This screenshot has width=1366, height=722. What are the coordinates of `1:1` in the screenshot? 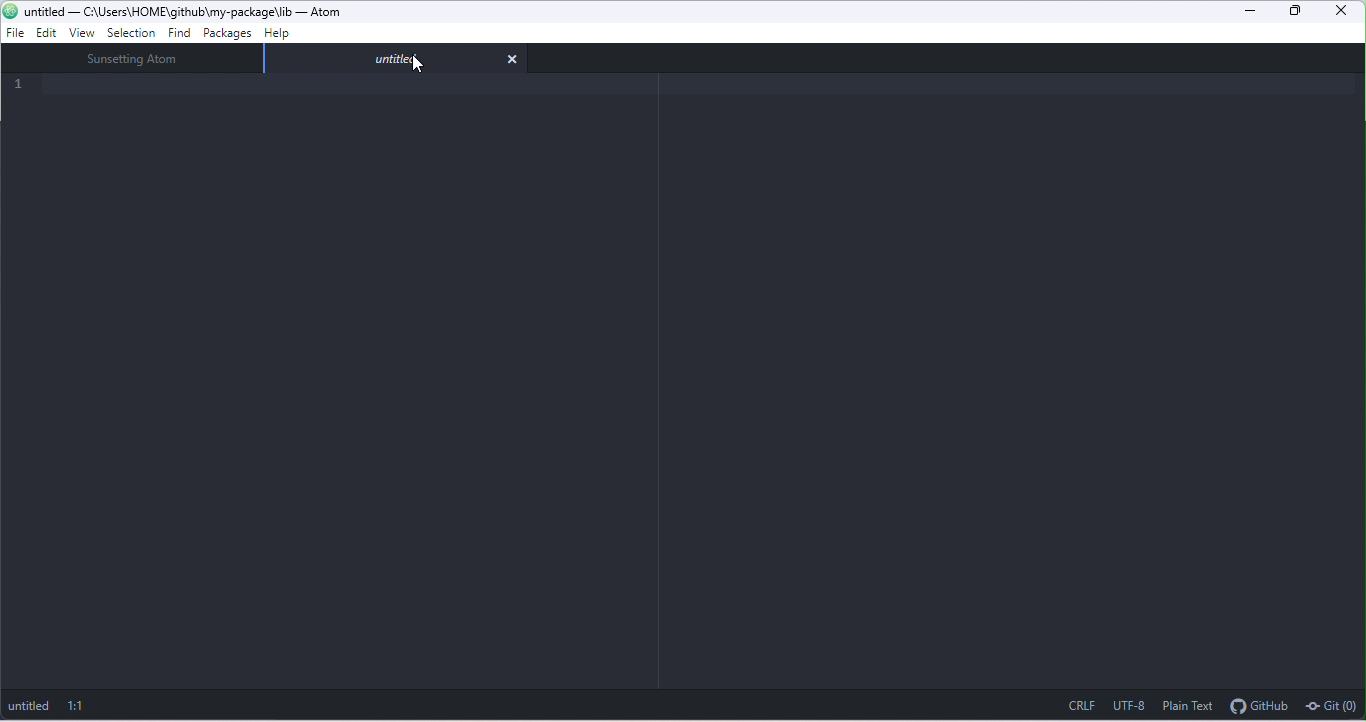 It's located at (95, 704).